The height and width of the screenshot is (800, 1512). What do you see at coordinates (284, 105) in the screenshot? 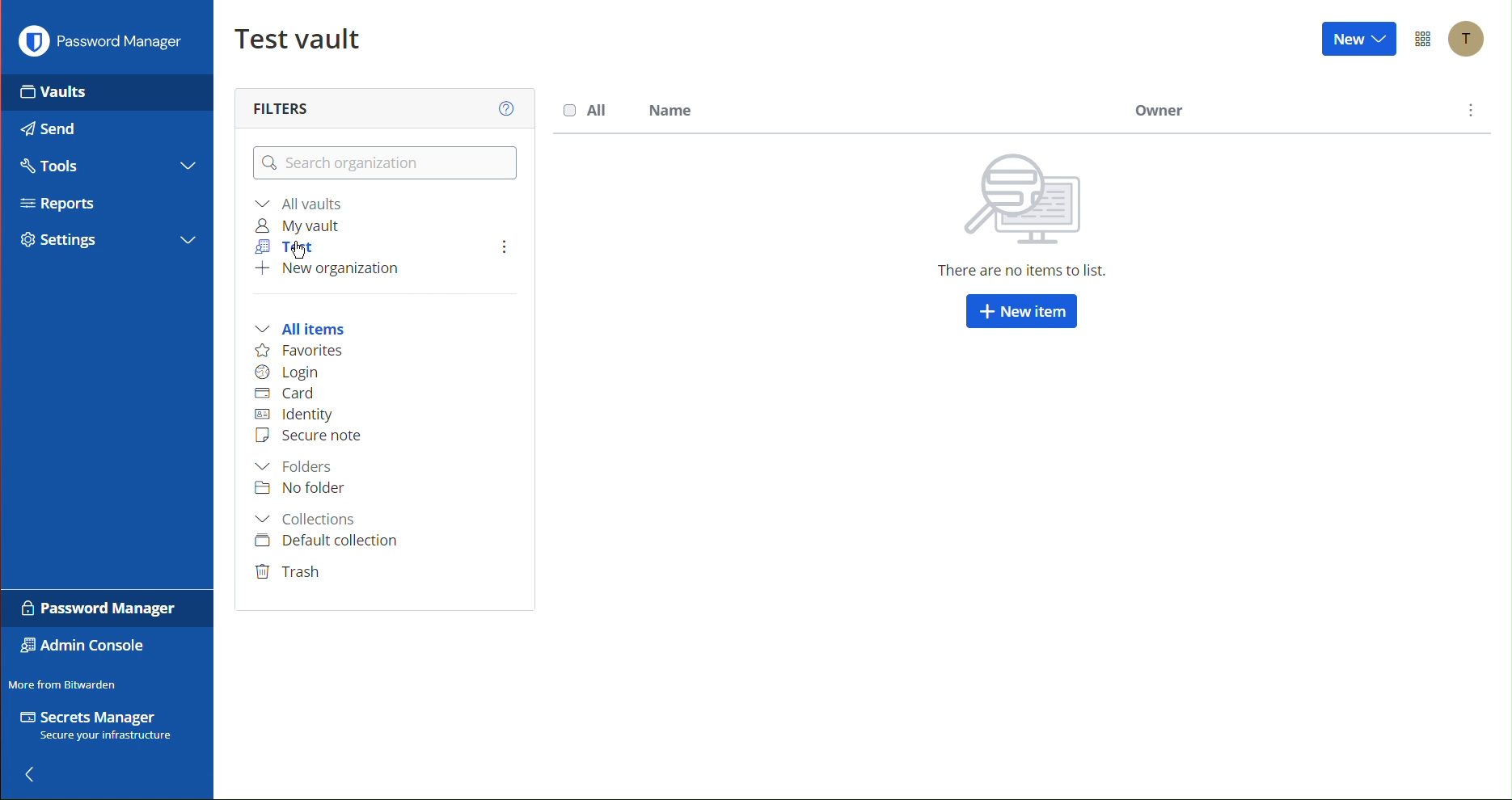
I see `Filters` at bounding box center [284, 105].